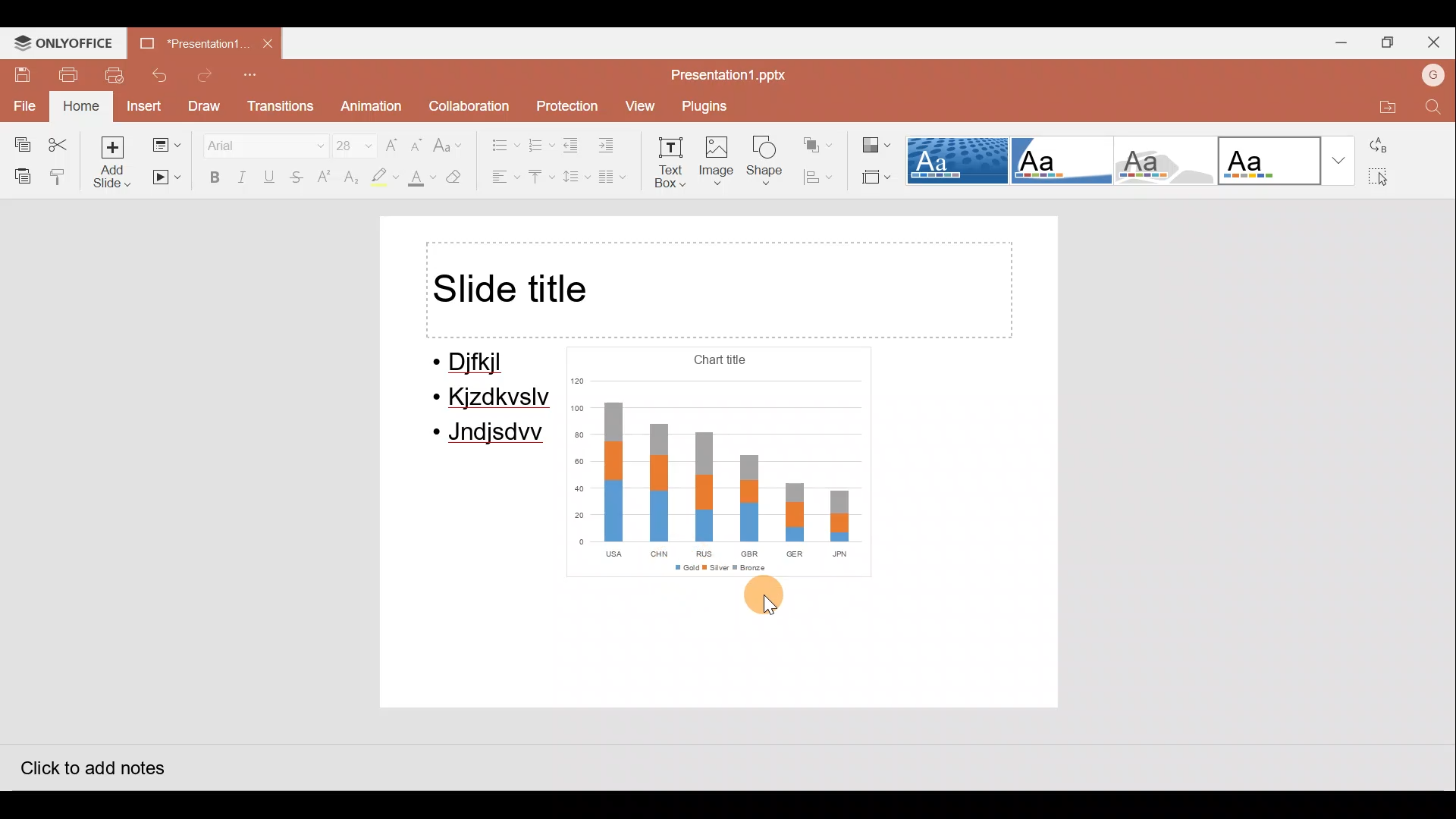  I want to click on Plugins, so click(709, 106).